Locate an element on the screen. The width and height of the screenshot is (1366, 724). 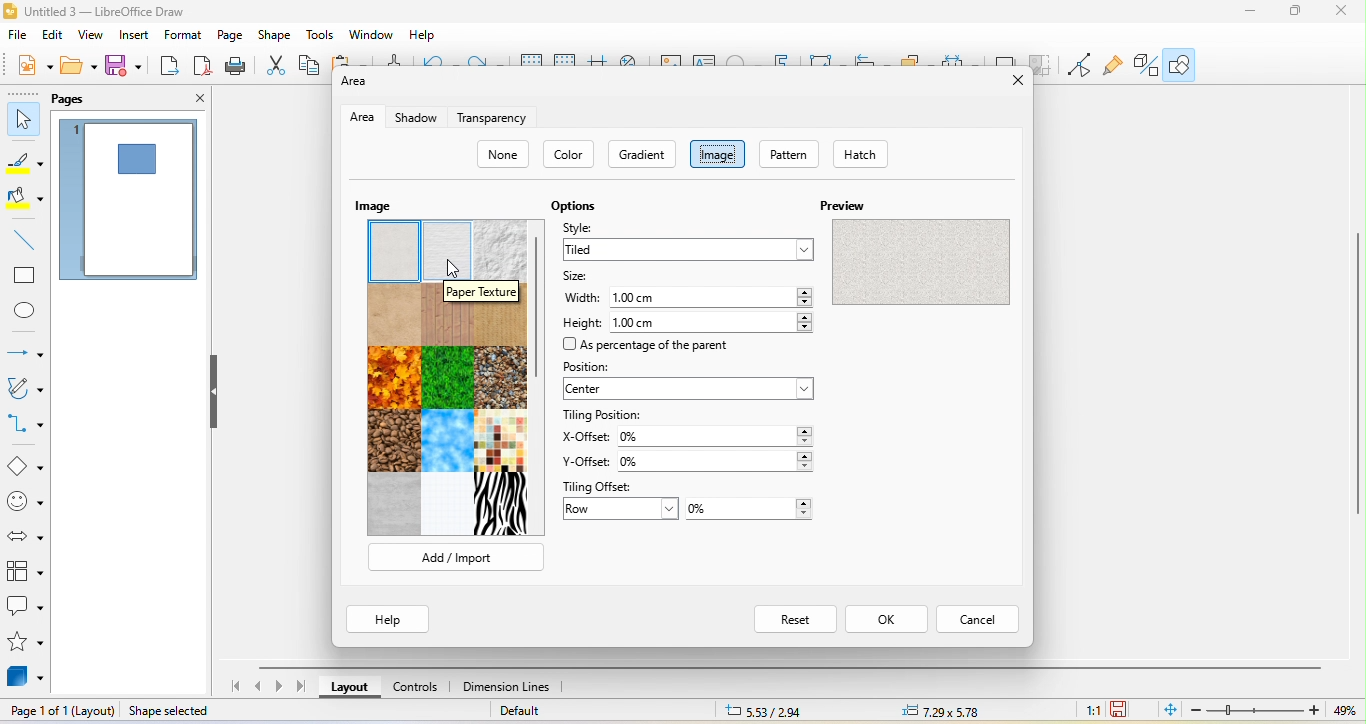
none is located at coordinates (501, 152).